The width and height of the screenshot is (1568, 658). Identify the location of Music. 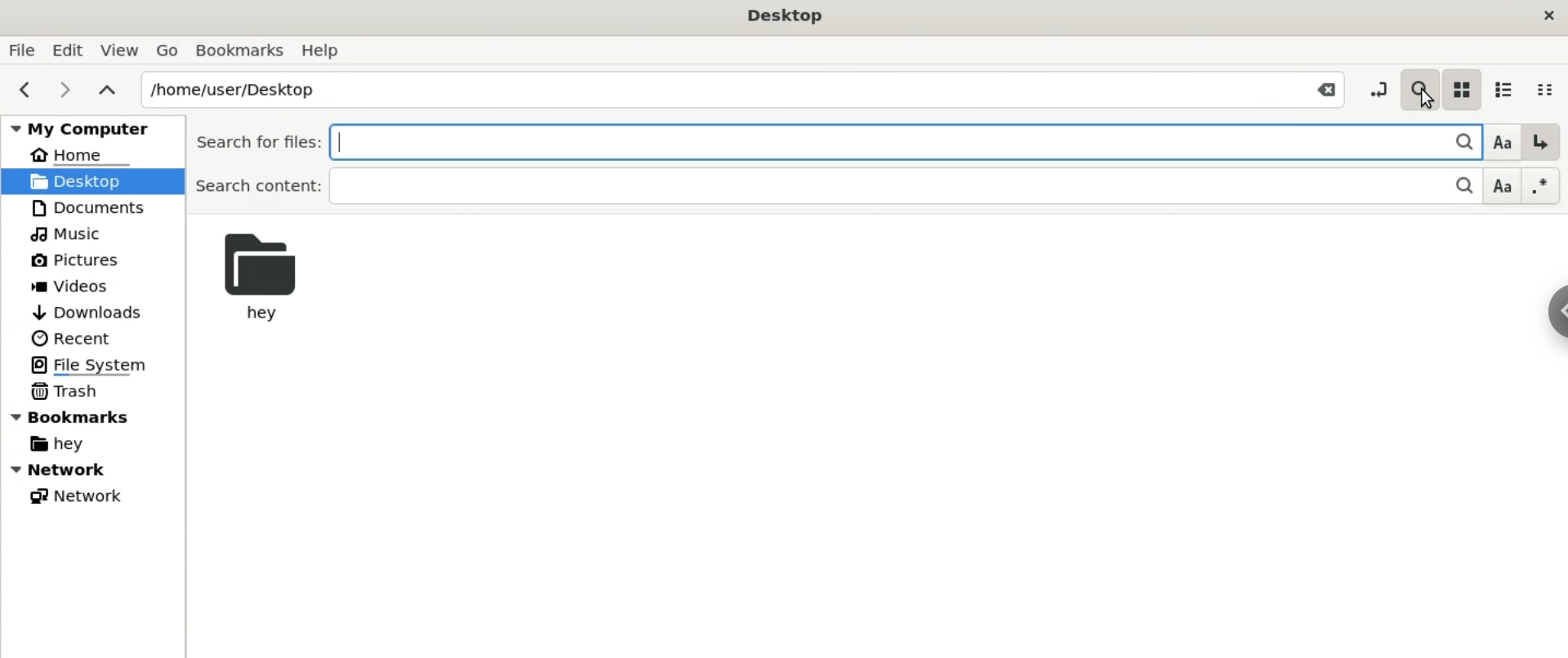
(69, 233).